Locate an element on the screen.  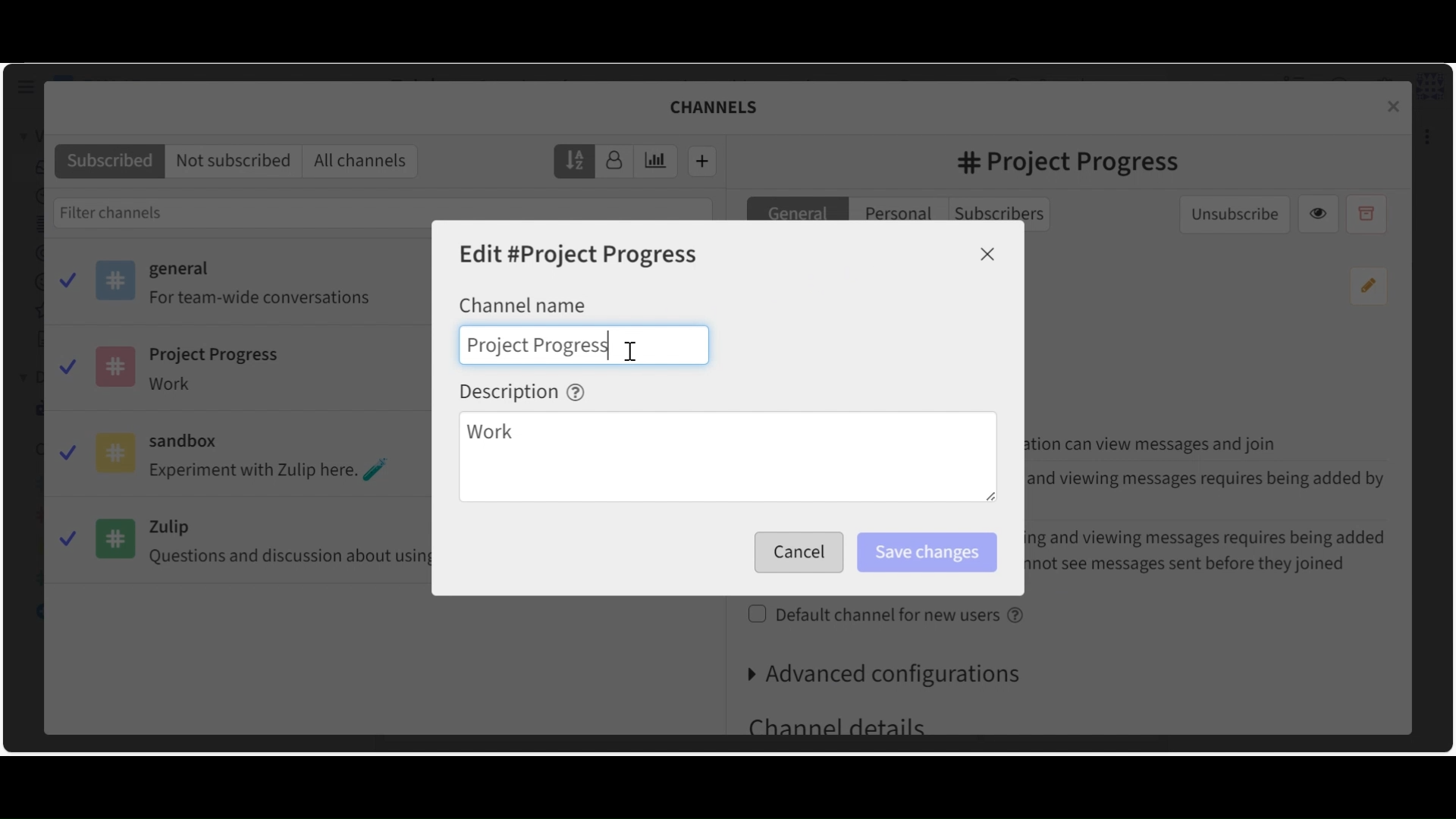
Description is located at coordinates (522, 391).